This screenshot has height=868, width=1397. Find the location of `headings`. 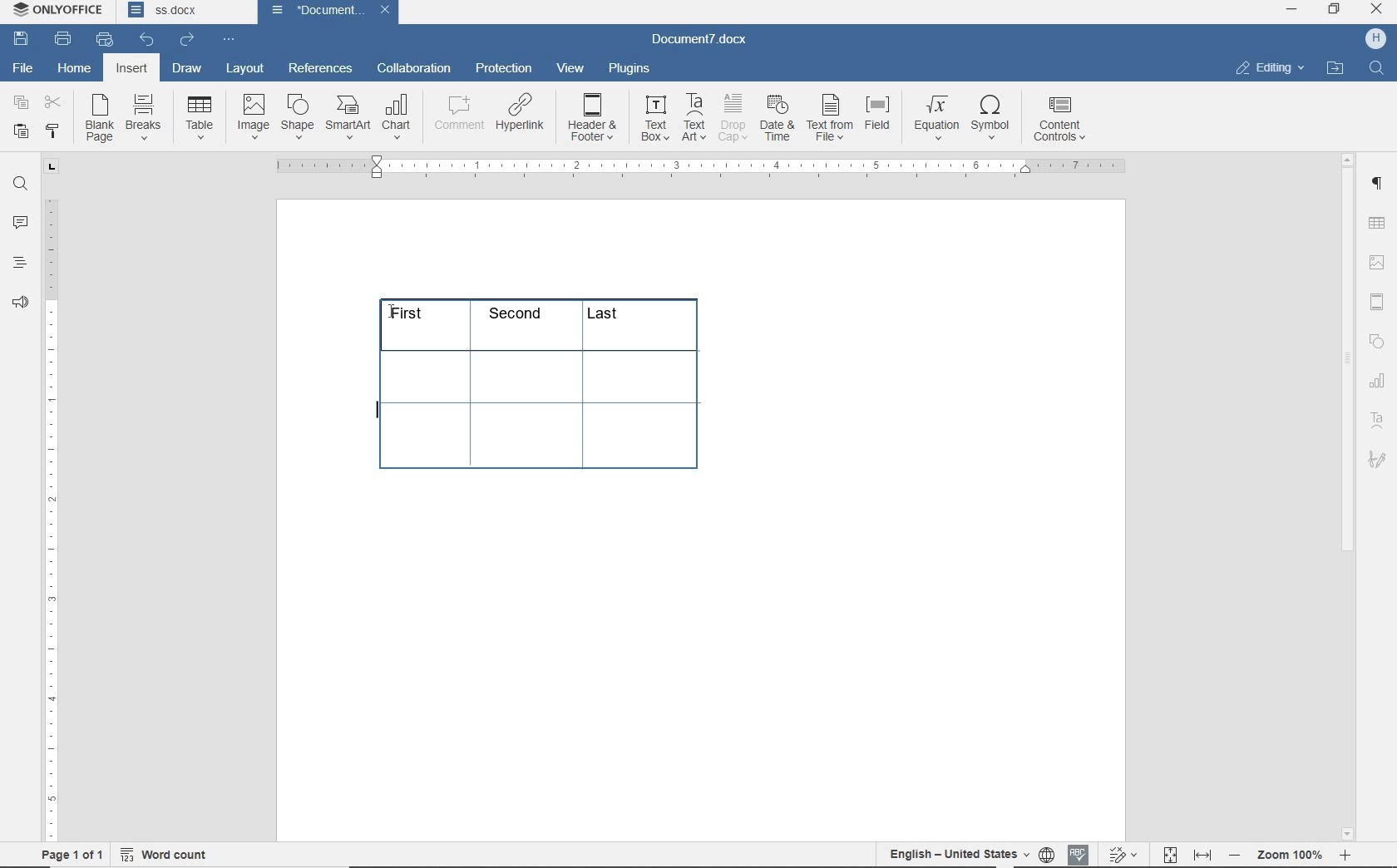

headings is located at coordinates (19, 264).